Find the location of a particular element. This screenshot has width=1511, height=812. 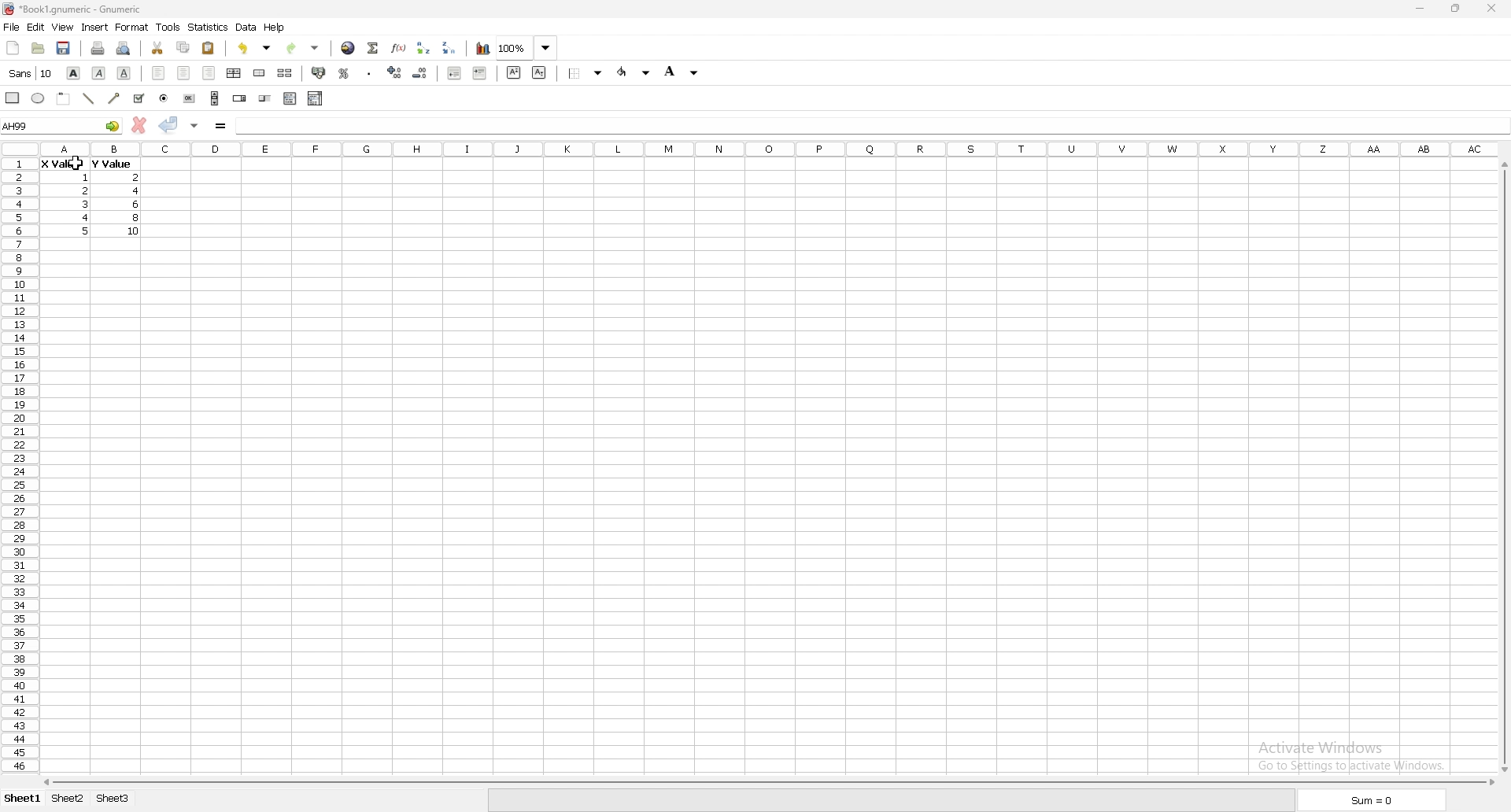

thousands separator is located at coordinates (370, 72).